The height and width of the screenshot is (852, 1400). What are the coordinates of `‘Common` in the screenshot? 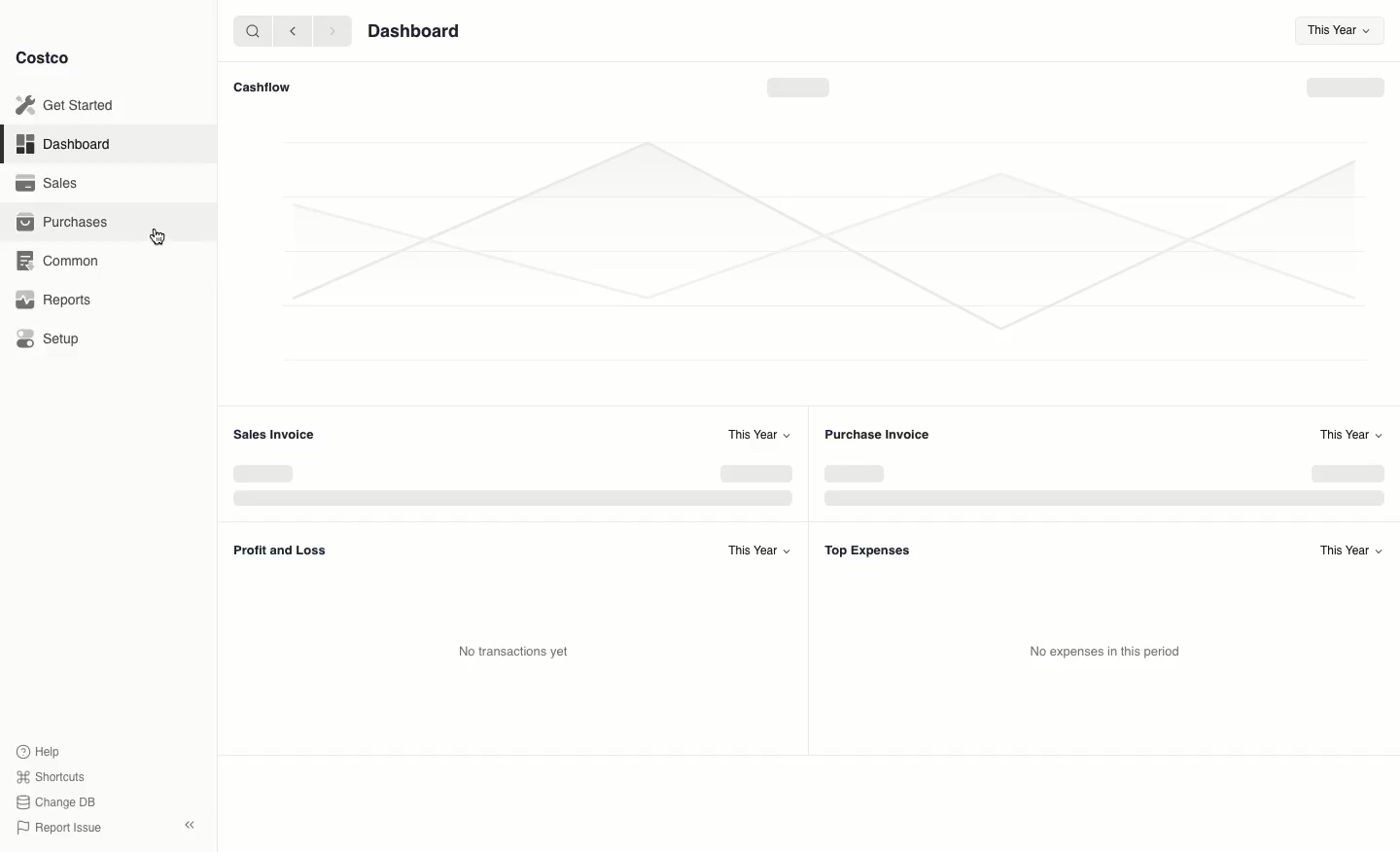 It's located at (65, 260).